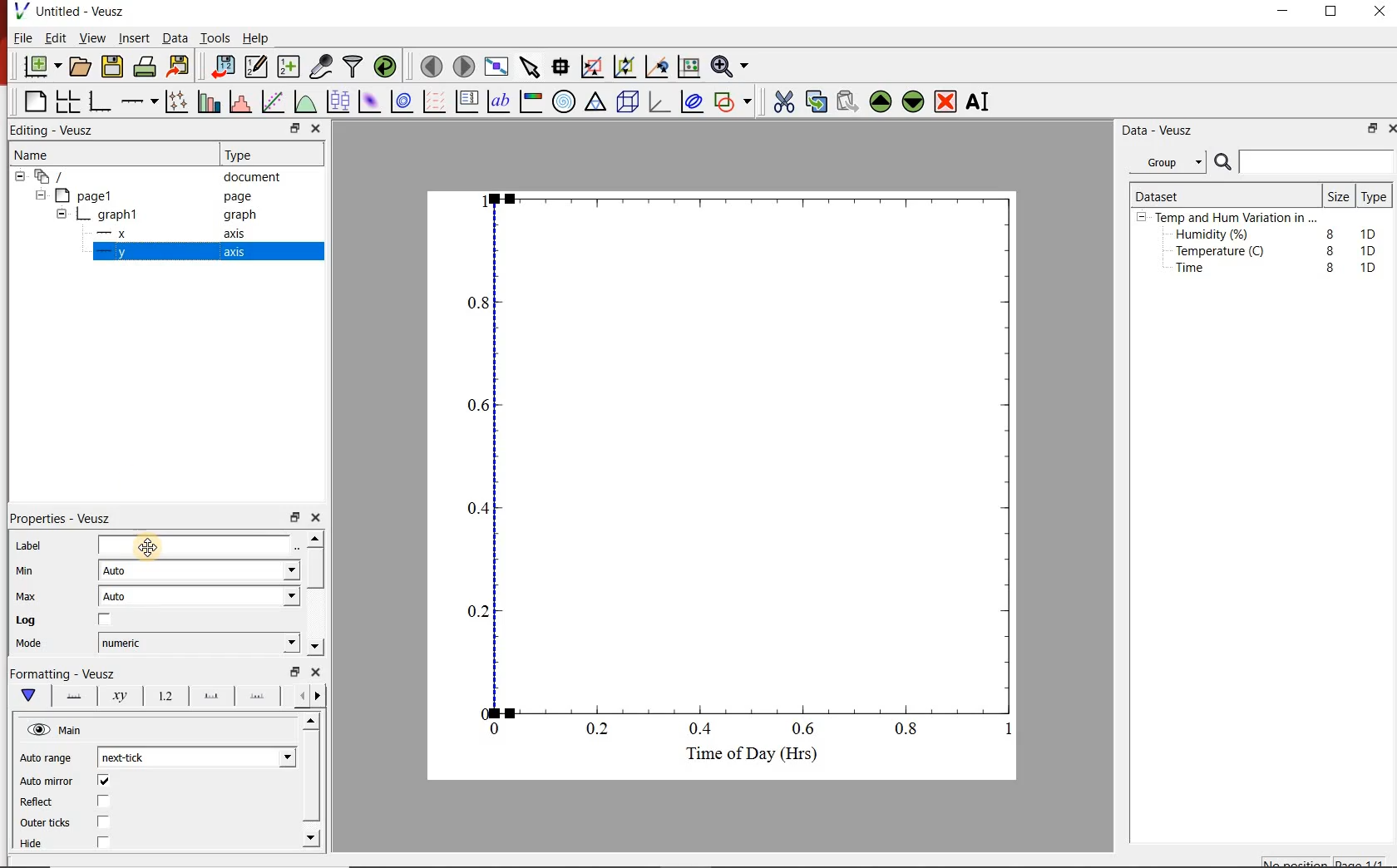 The width and height of the screenshot is (1397, 868). What do you see at coordinates (475, 509) in the screenshot?
I see `0.4` at bounding box center [475, 509].